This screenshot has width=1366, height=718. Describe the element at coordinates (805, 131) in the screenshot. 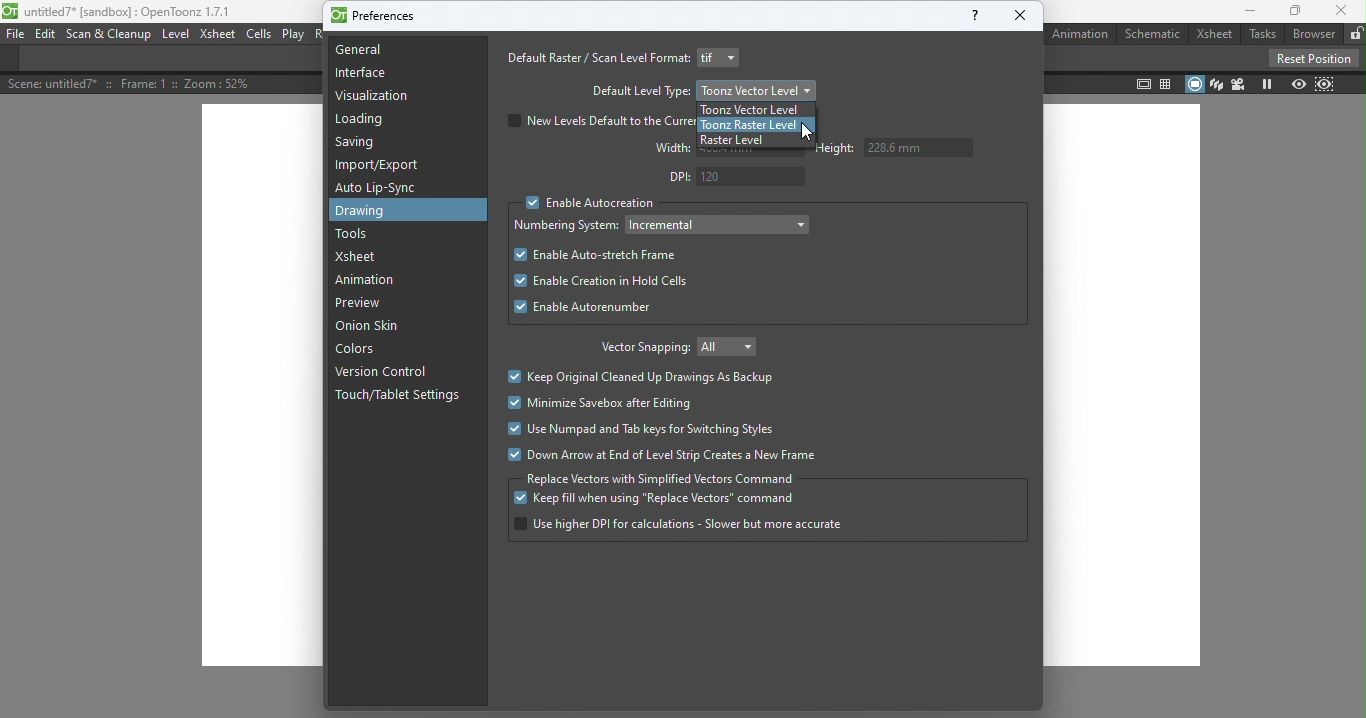

I see `cursor` at that location.